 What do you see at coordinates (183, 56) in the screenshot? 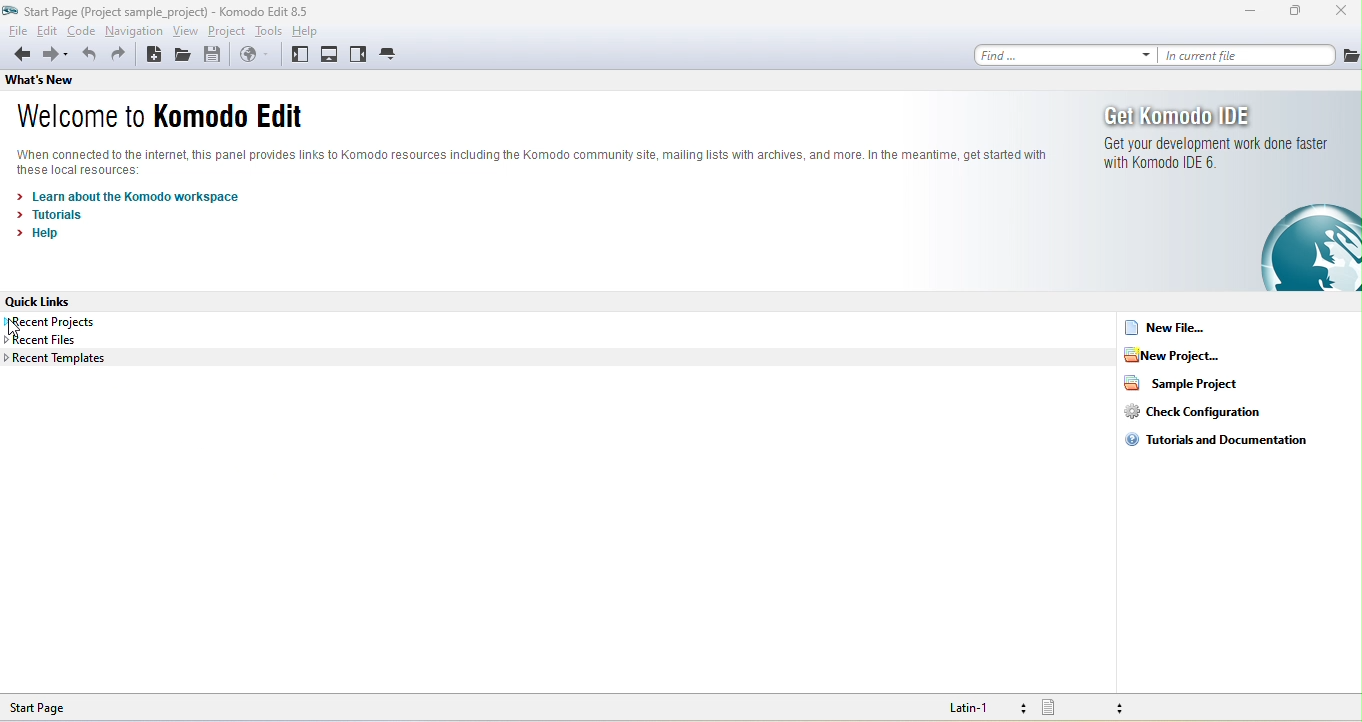
I see `open` at bounding box center [183, 56].